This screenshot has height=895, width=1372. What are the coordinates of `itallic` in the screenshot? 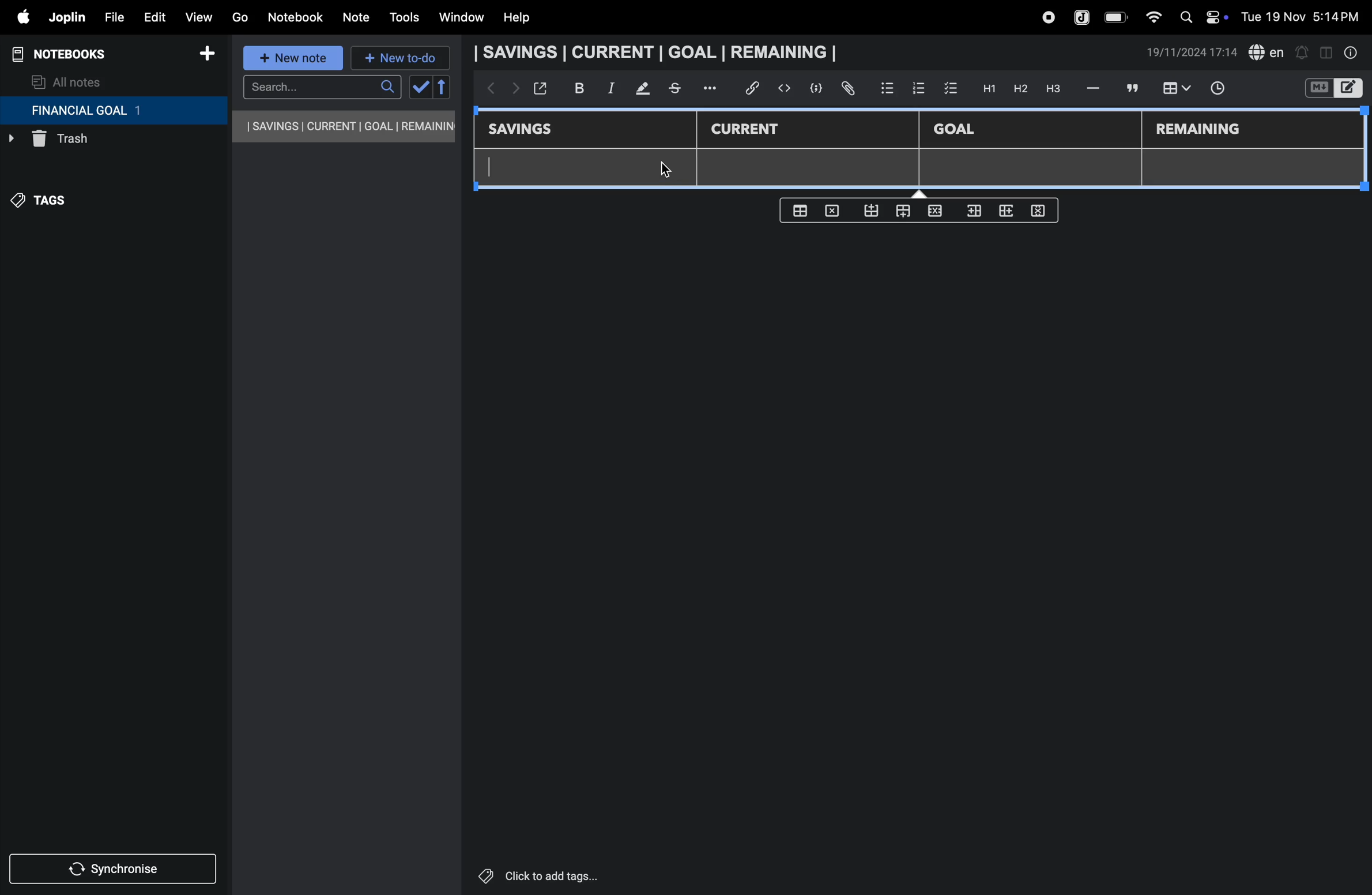 It's located at (609, 88).